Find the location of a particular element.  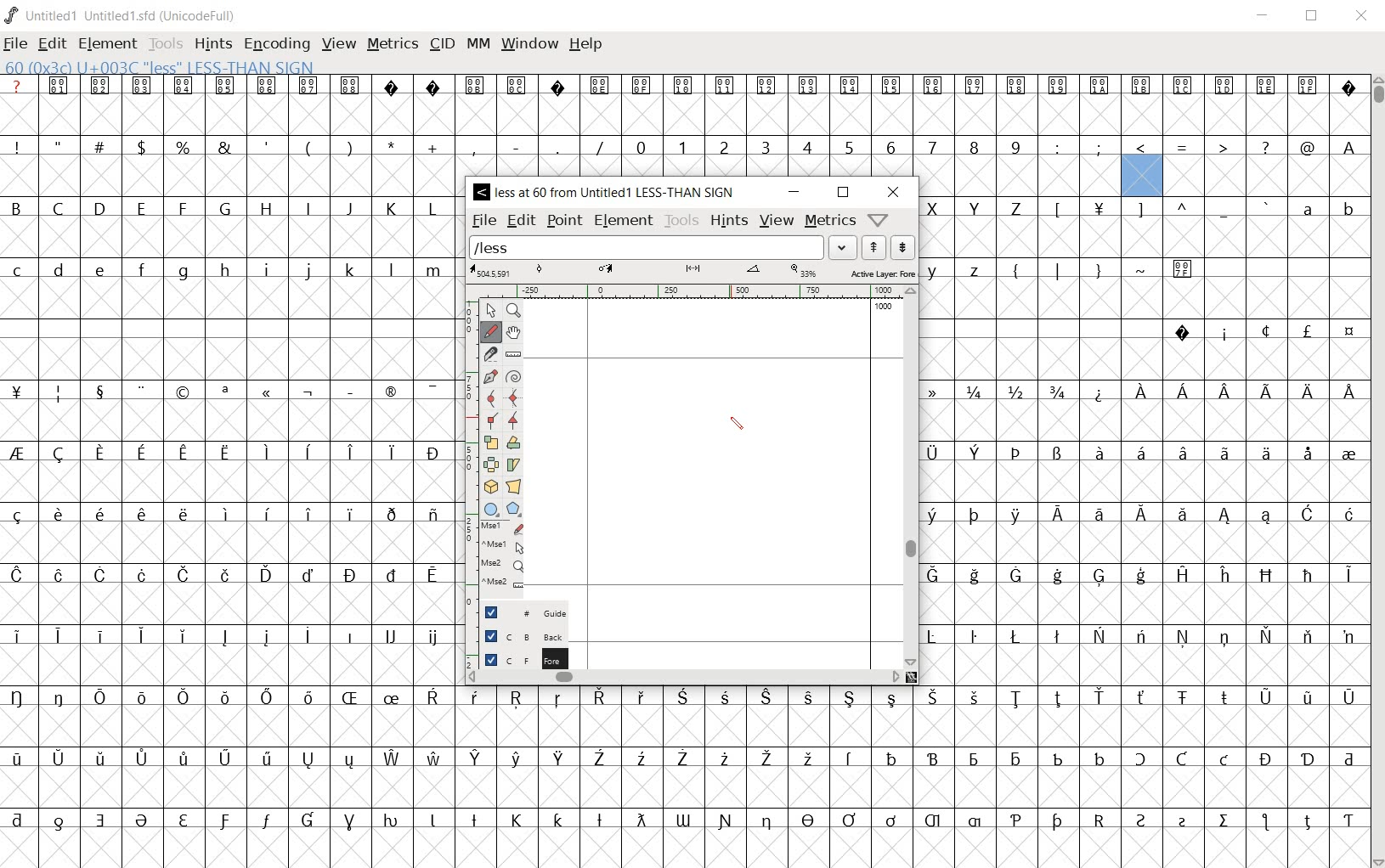

minimize is located at coordinates (1263, 15).